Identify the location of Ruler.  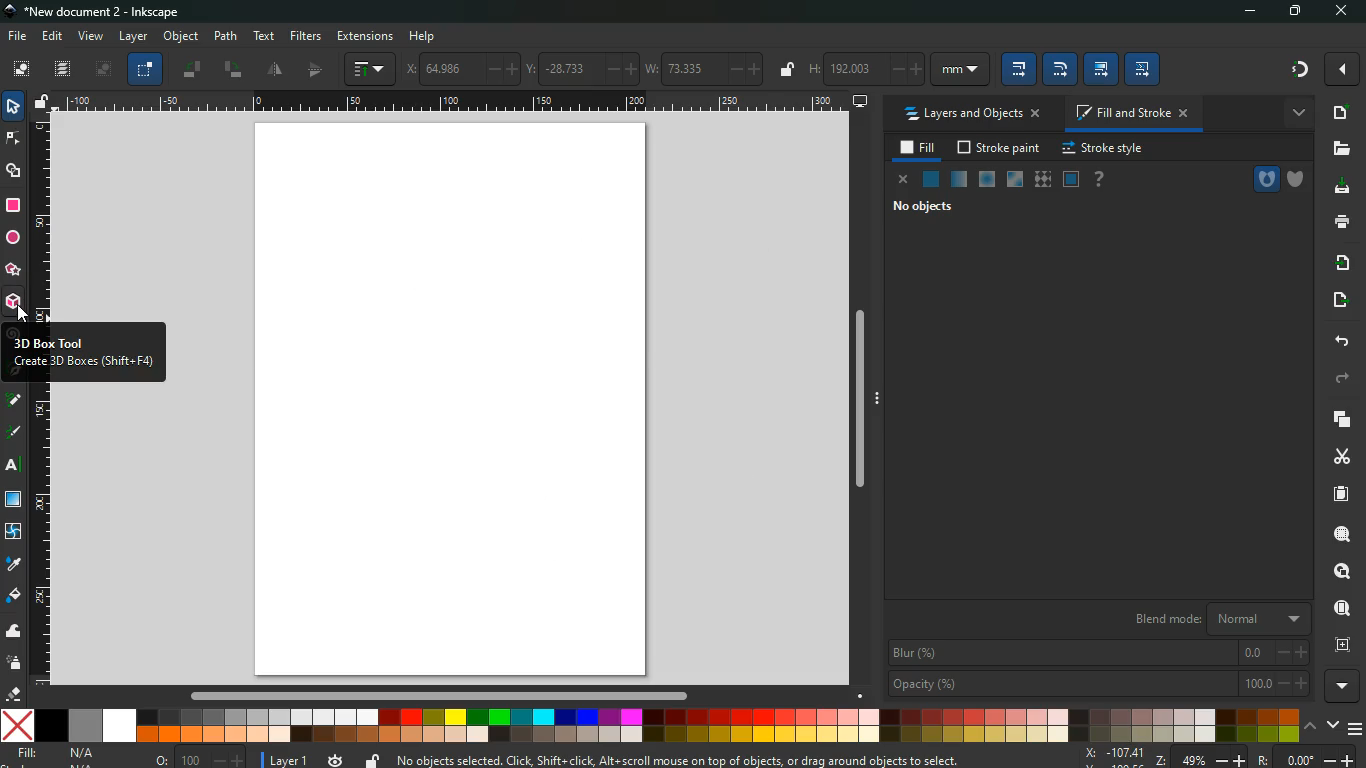
(454, 102).